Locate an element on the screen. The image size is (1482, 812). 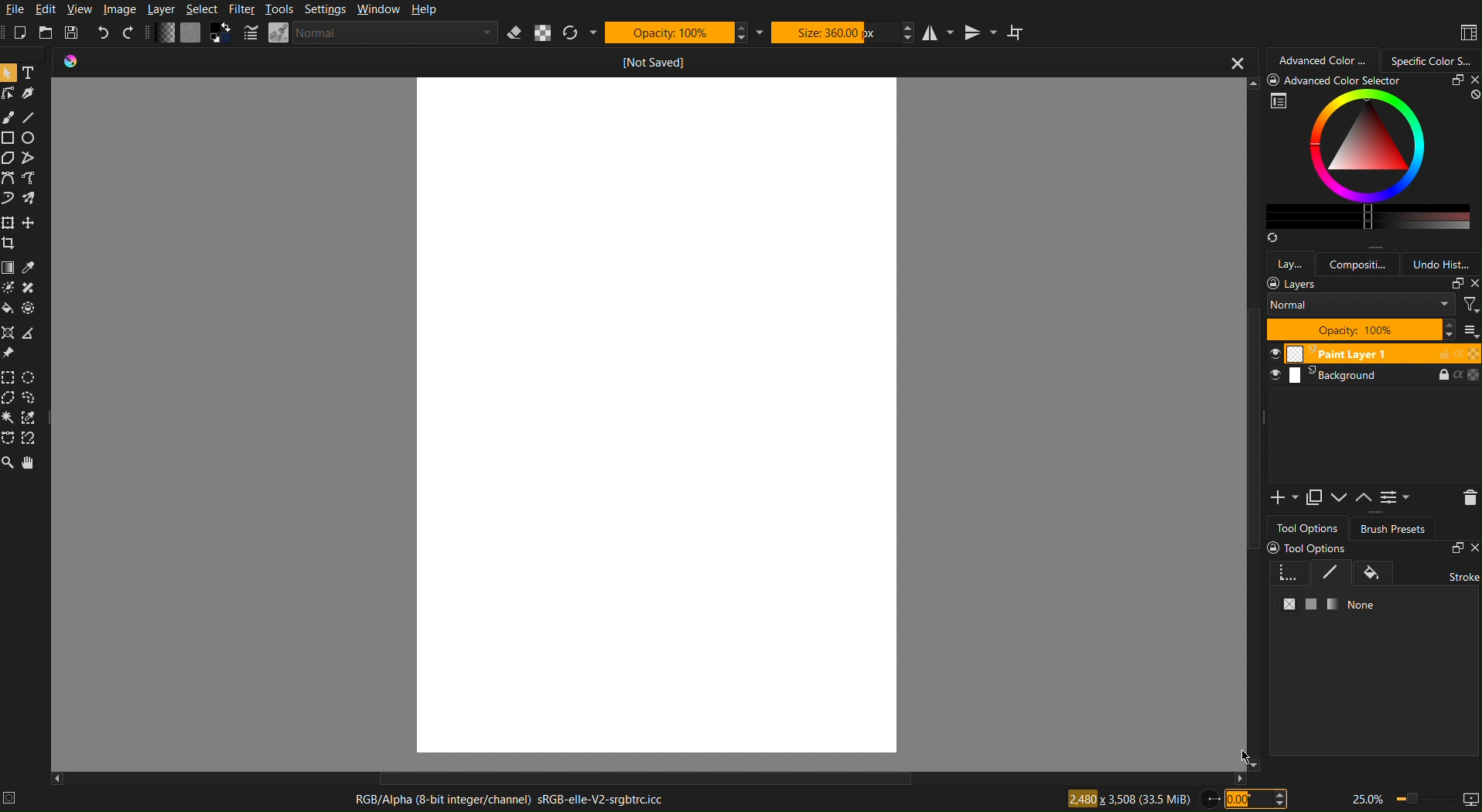
Zoom is located at coordinates (1413, 799).